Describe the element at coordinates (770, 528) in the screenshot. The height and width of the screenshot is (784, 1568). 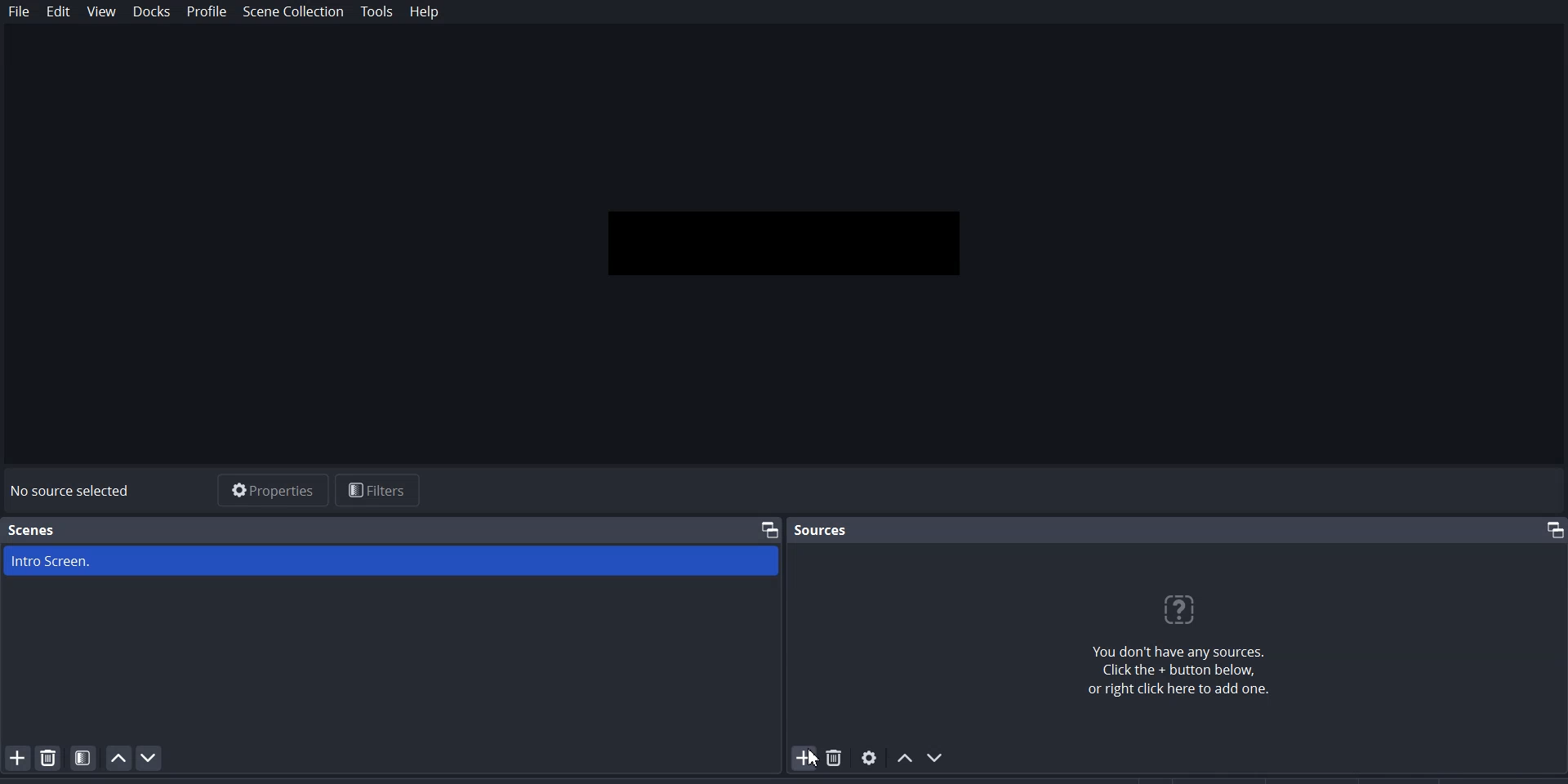
I see `Maximize` at that location.